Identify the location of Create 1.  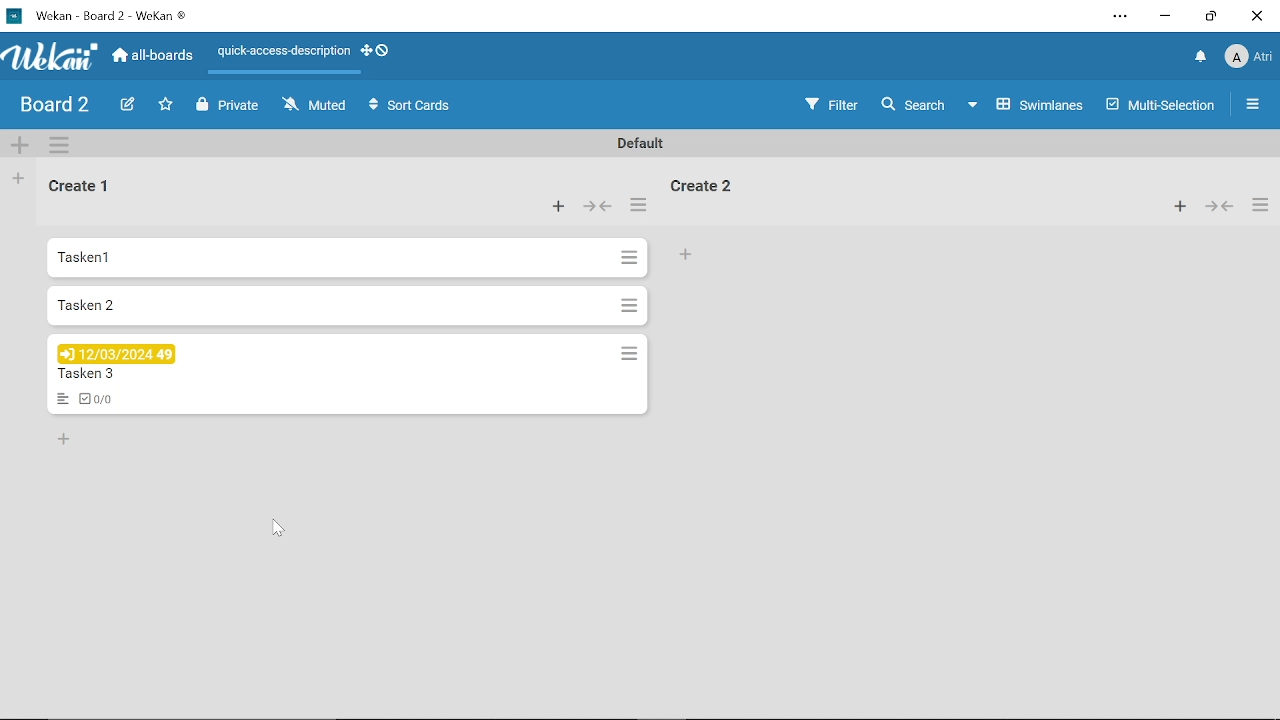
(84, 183).